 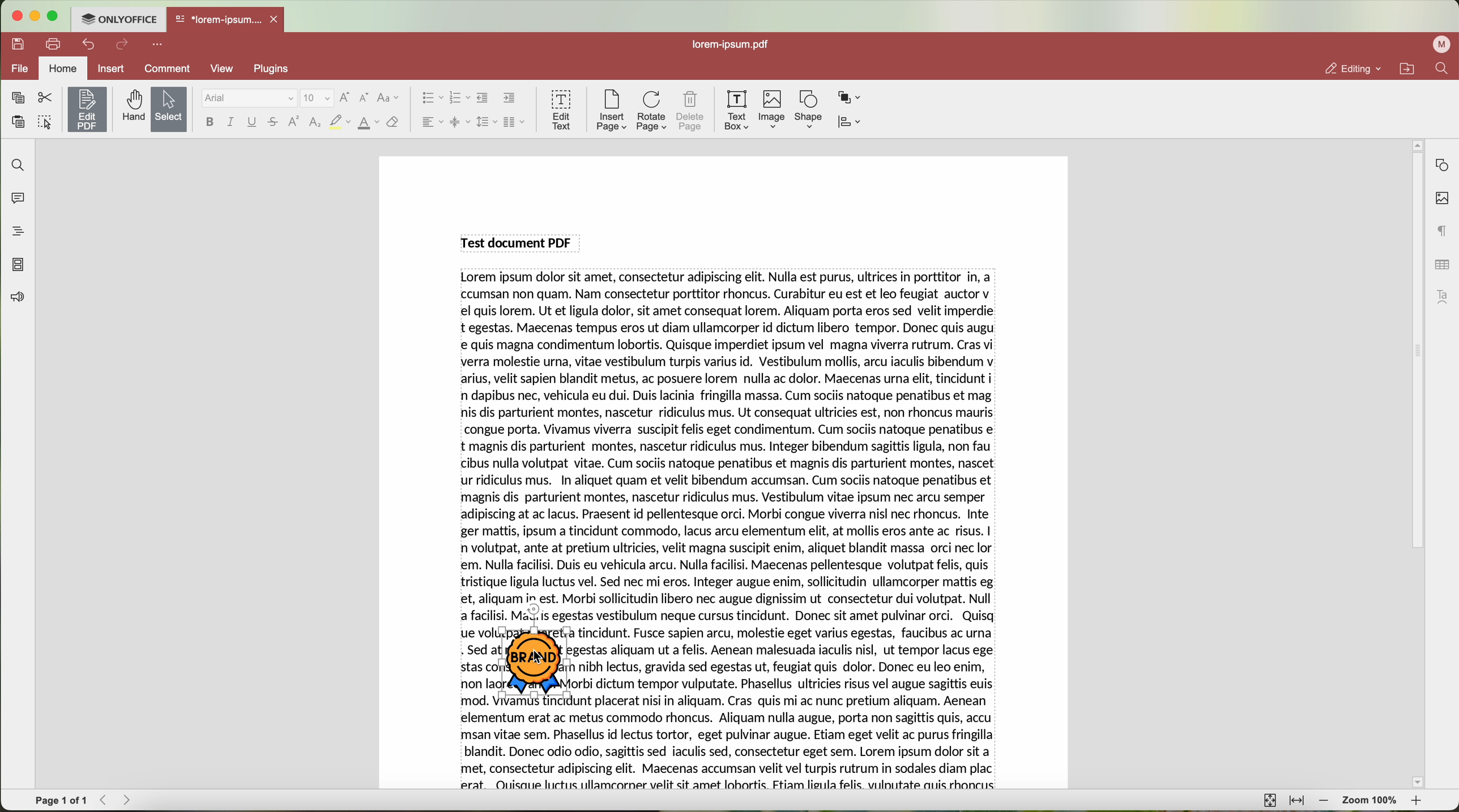 What do you see at coordinates (539, 659) in the screenshot?
I see `cursor` at bounding box center [539, 659].